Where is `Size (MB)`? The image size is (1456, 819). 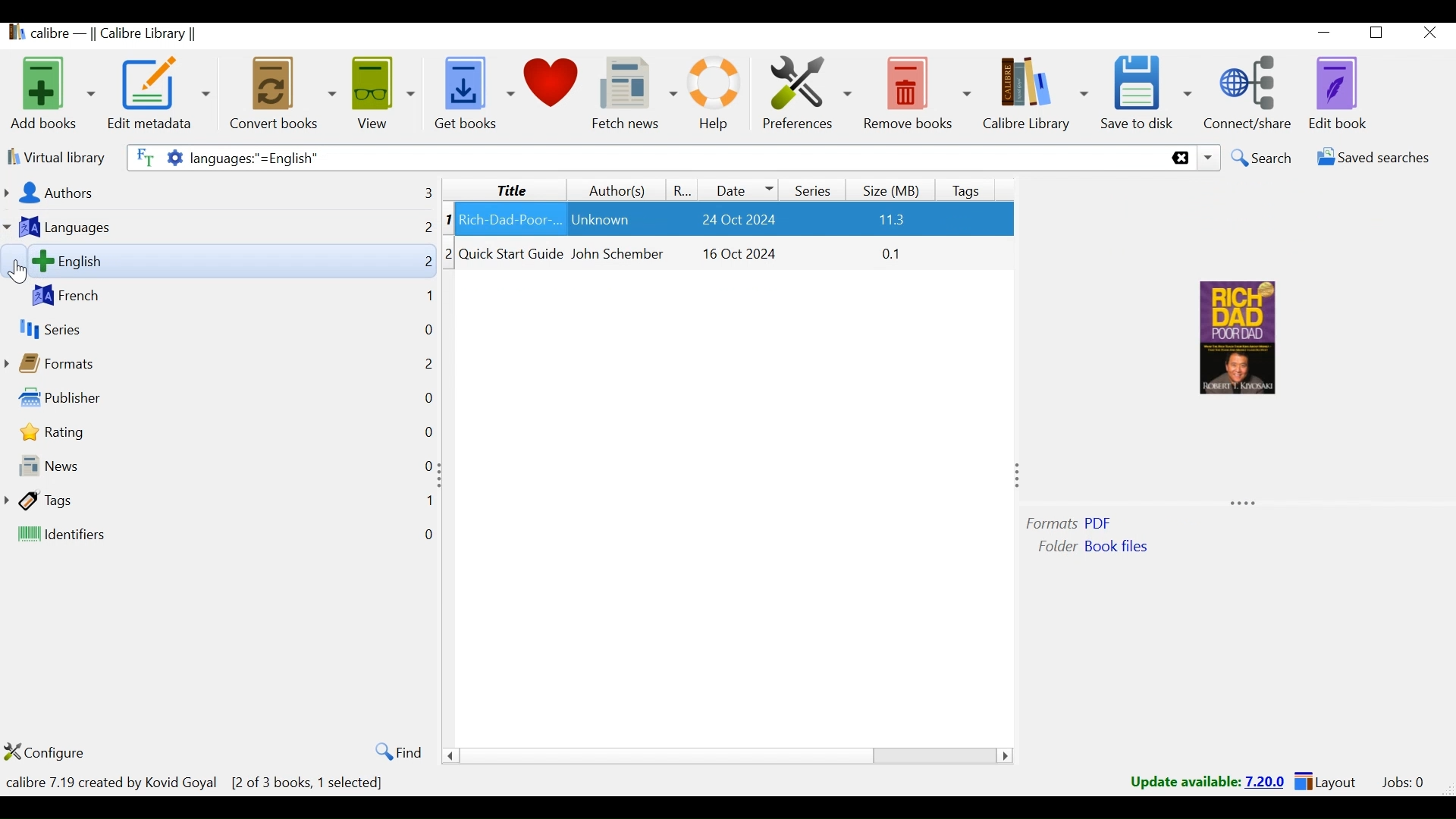
Size (MB) is located at coordinates (894, 188).